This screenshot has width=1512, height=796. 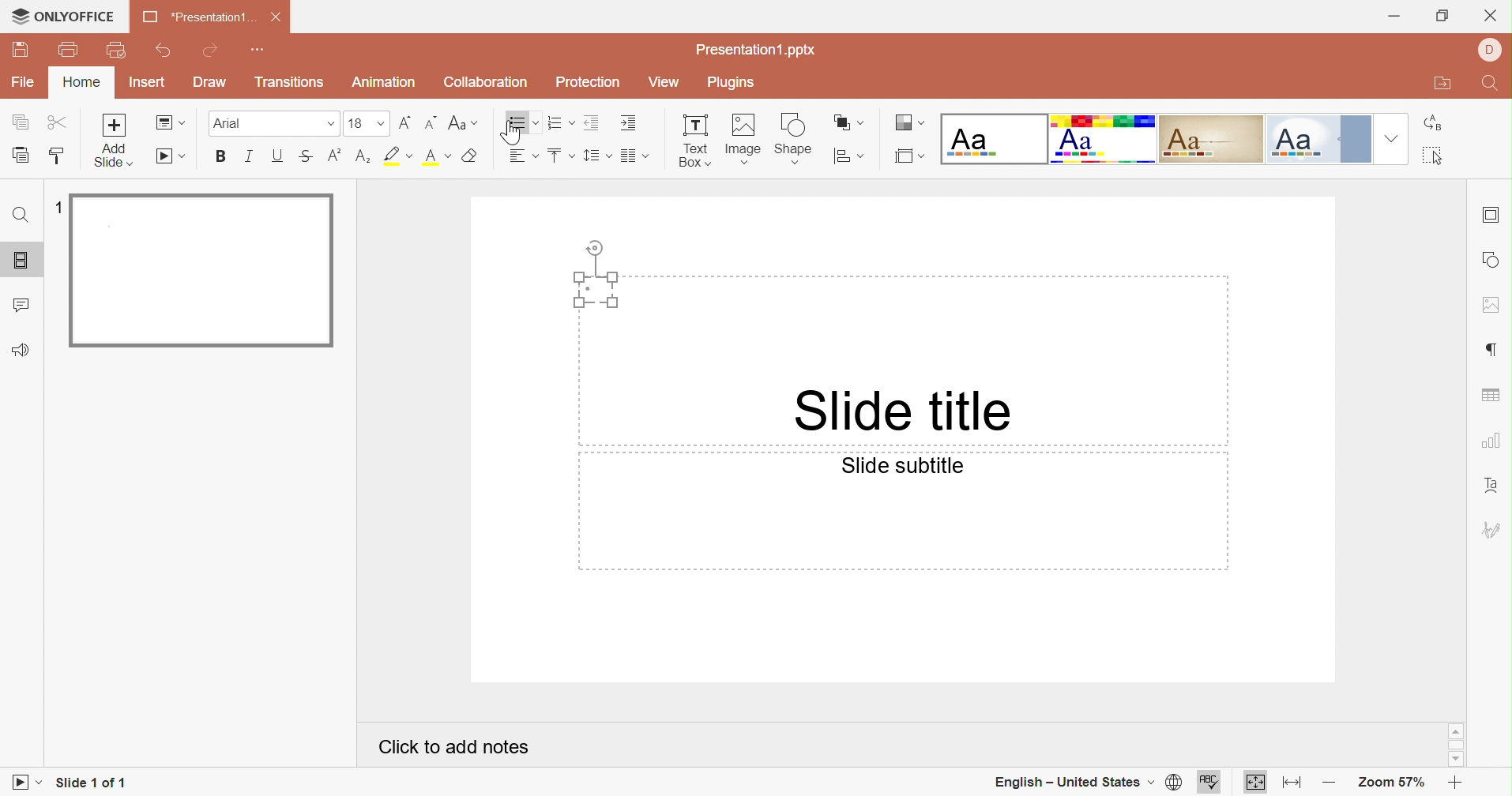 I want to click on Superscript, so click(x=305, y=158).